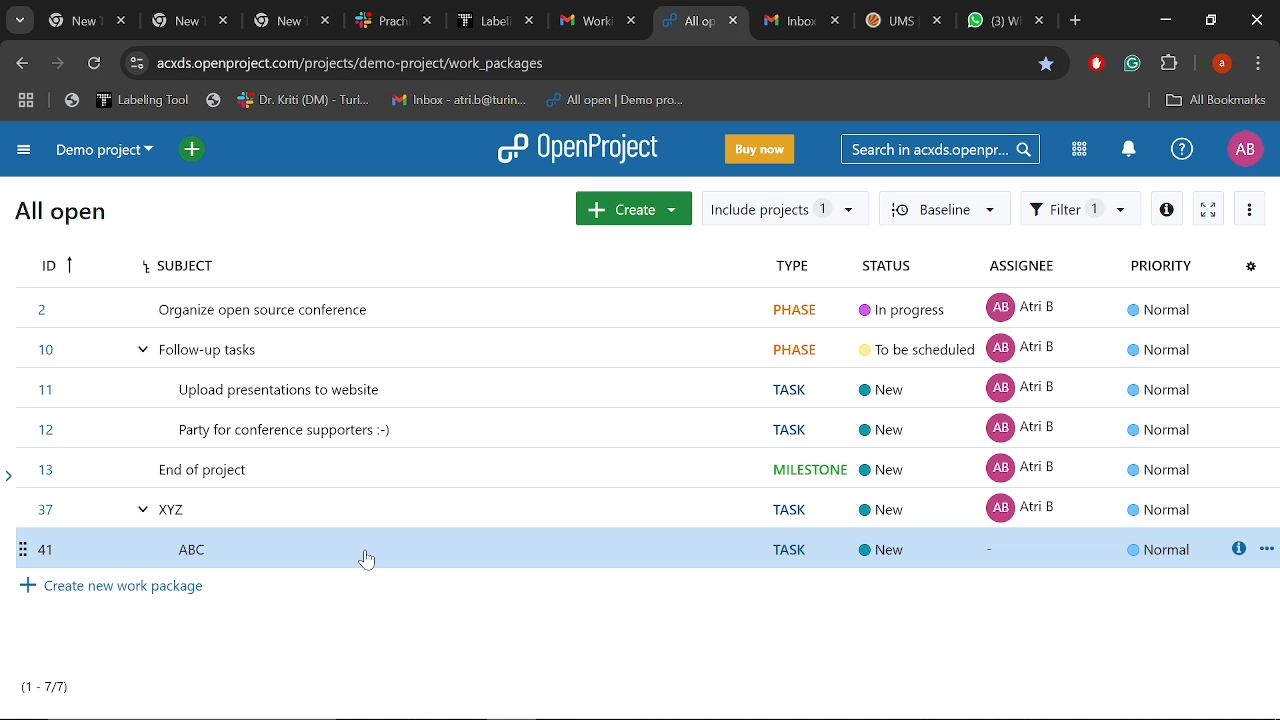 The width and height of the screenshot is (1280, 720). What do you see at coordinates (1167, 209) in the screenshot?
I see `Info` at bounding box center [1167, 209].